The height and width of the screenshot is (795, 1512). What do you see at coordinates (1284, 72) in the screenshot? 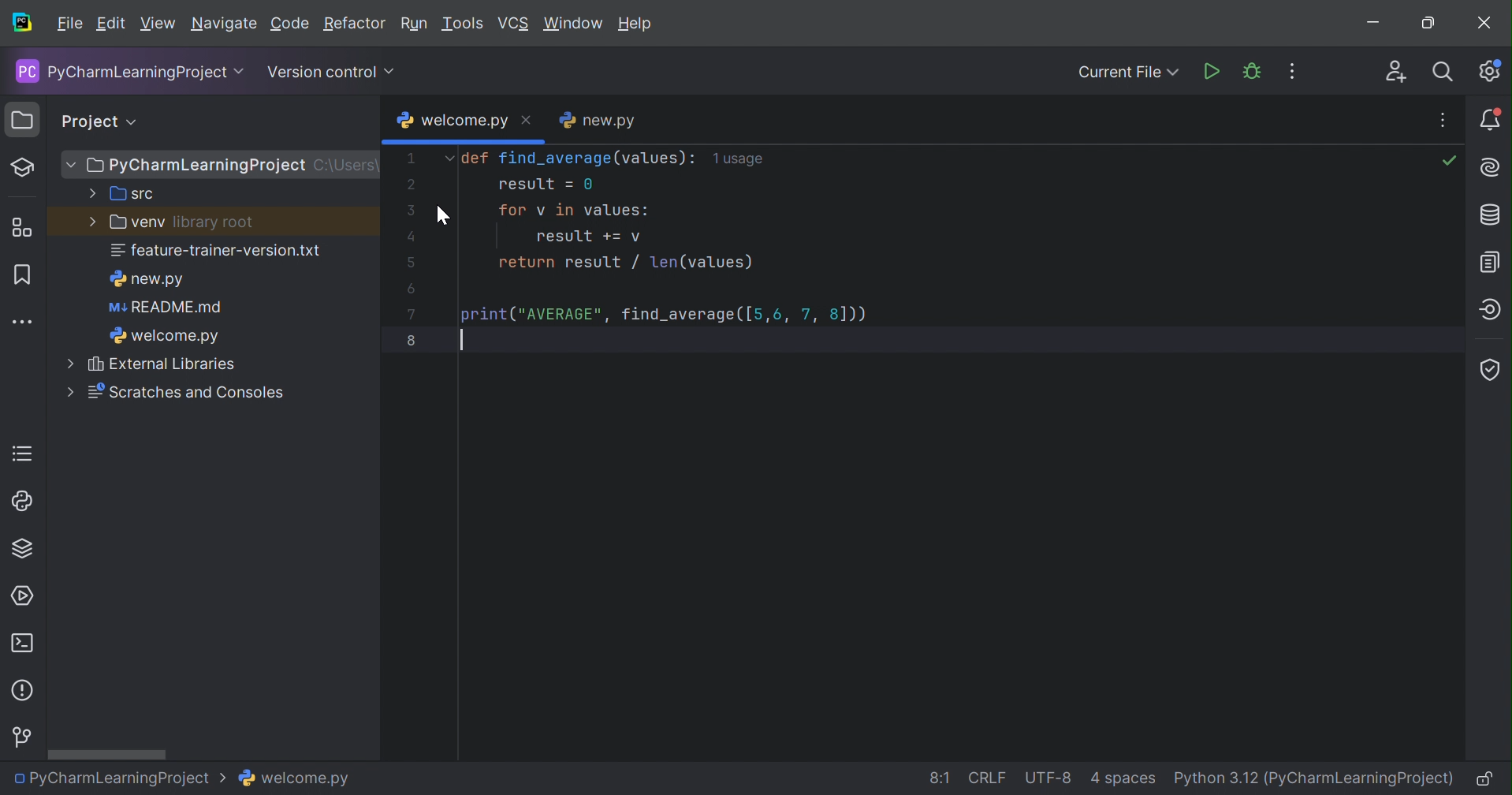
I see `More Actions` at bounding box center [1284, 72].